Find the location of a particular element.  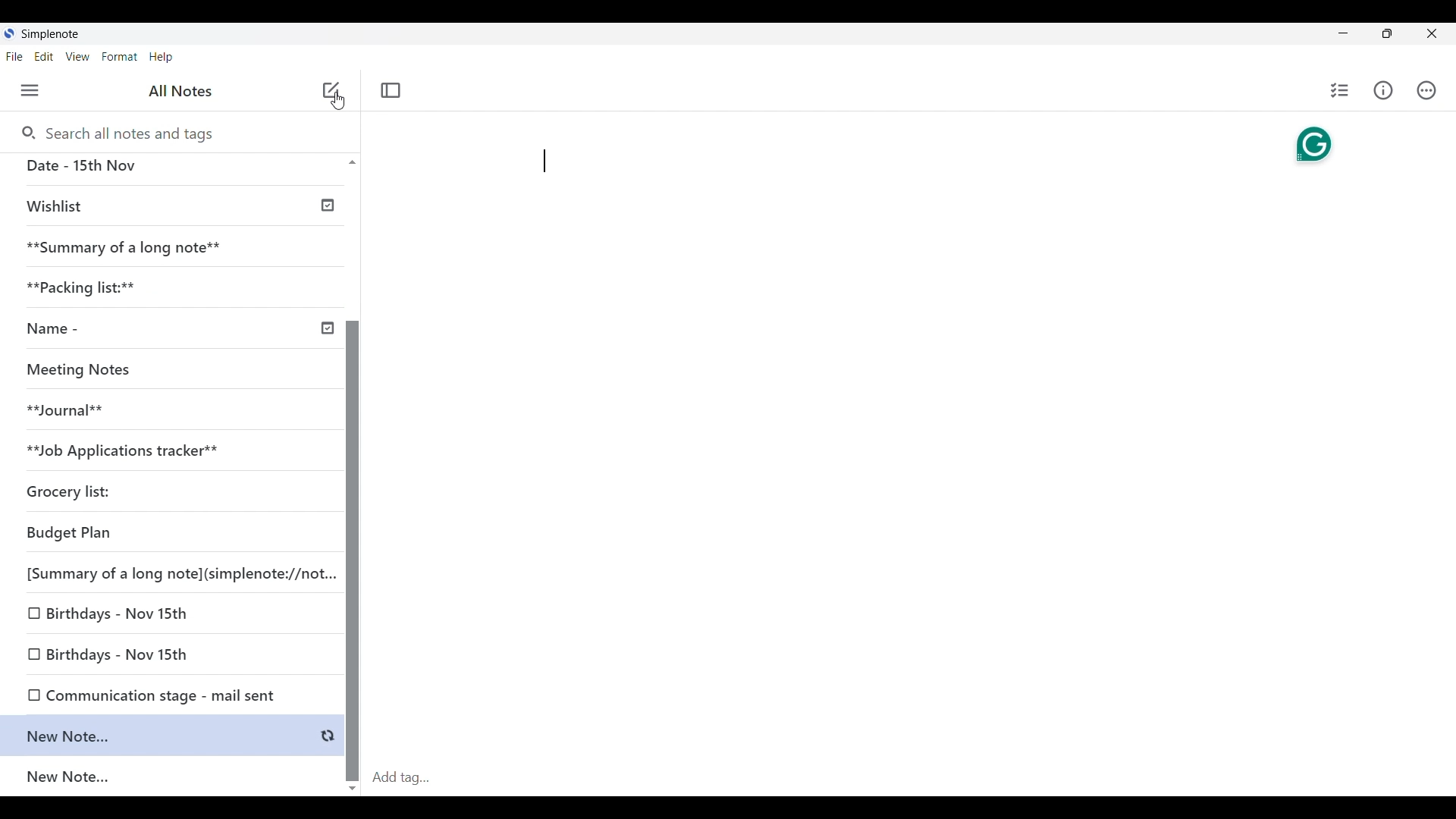

**Job Applications tracker** is located at coordinates (167, 453).